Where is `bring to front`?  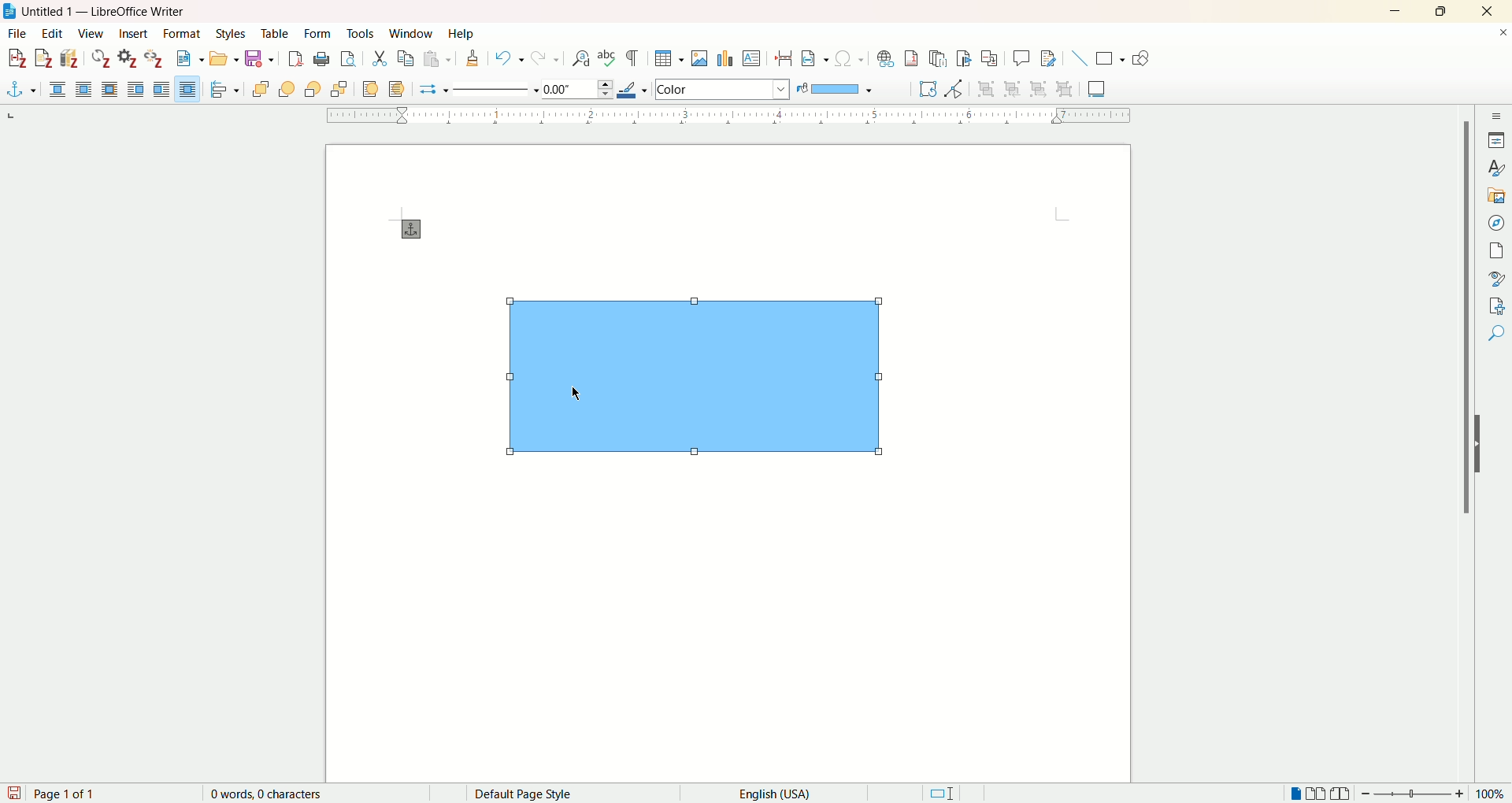 bring to front is located at coordinates (260, 87).